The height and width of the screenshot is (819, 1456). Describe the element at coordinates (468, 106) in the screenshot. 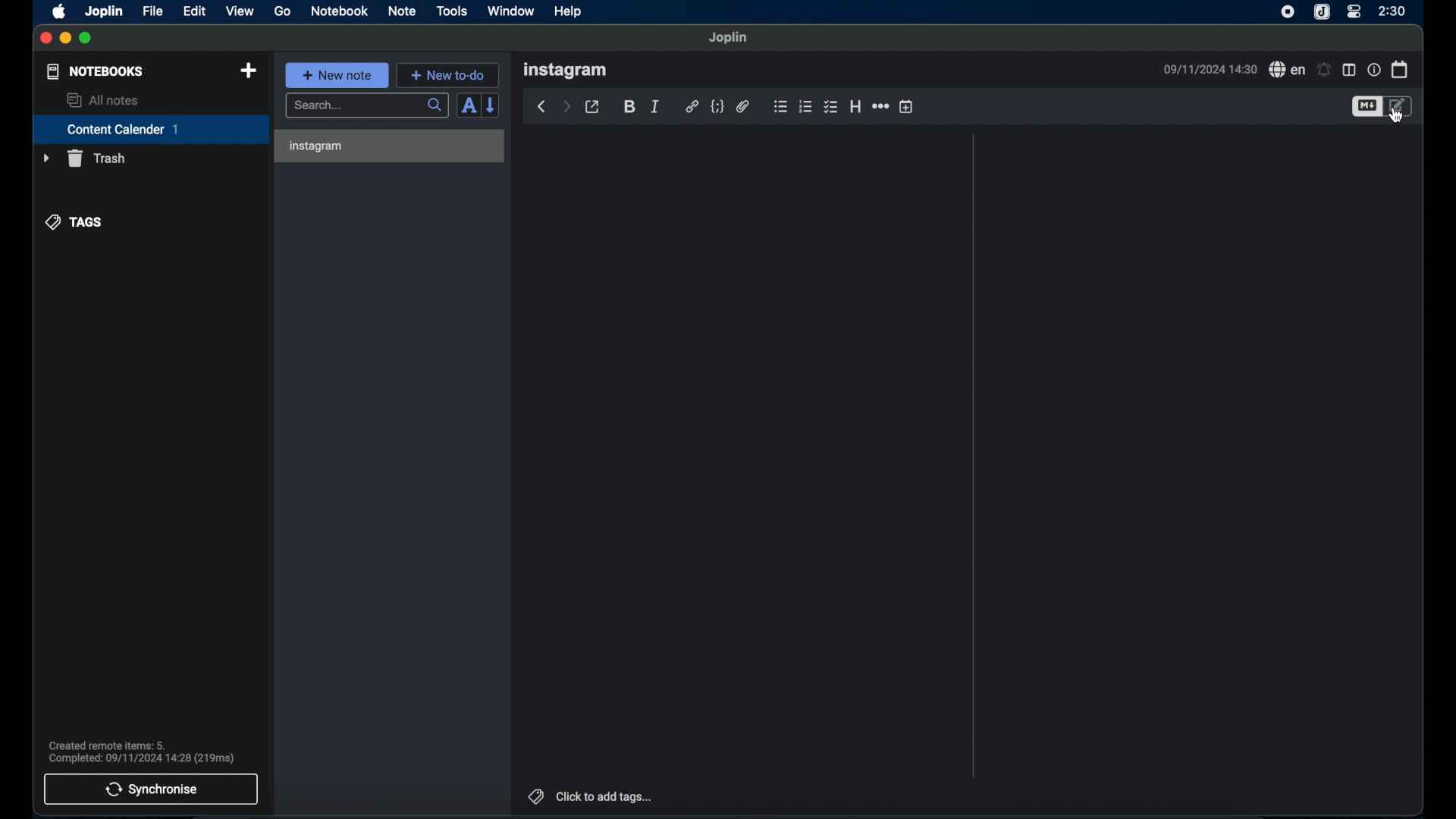

I see `toggle sort order field` at that location.